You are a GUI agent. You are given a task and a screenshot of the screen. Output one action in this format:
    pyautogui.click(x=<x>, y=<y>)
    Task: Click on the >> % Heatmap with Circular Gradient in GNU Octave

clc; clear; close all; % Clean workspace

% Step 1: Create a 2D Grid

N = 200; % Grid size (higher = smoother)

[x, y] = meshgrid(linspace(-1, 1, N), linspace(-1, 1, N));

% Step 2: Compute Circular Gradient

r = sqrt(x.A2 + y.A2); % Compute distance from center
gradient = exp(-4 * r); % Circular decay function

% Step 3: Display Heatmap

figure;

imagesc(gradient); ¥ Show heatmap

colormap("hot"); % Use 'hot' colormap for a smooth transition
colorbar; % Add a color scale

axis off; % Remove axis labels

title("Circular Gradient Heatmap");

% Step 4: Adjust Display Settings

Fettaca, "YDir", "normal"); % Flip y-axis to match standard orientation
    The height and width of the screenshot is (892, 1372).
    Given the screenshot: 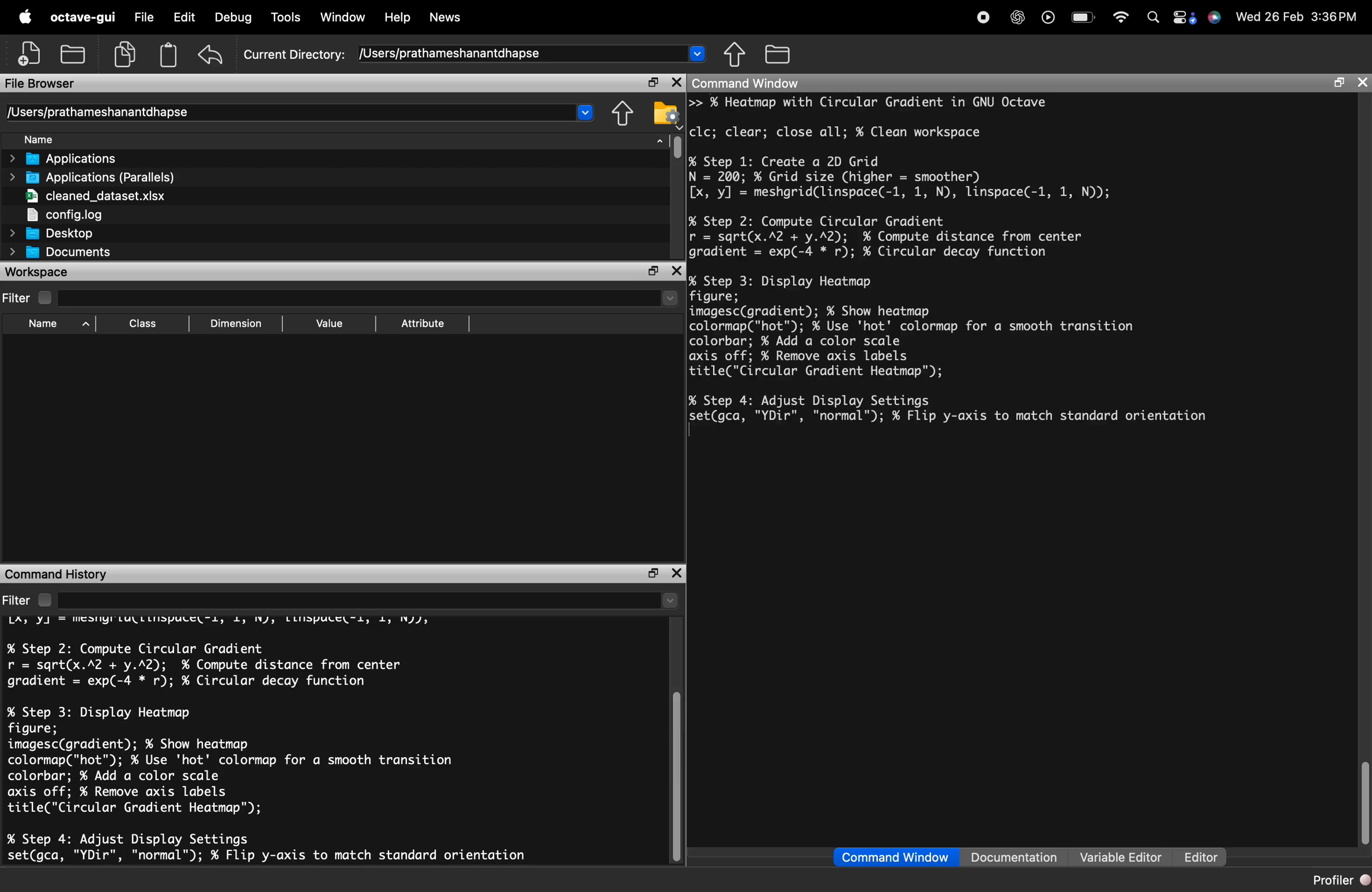 What is the action you would take?
    pyautogui.click(x=962, y=265)
    